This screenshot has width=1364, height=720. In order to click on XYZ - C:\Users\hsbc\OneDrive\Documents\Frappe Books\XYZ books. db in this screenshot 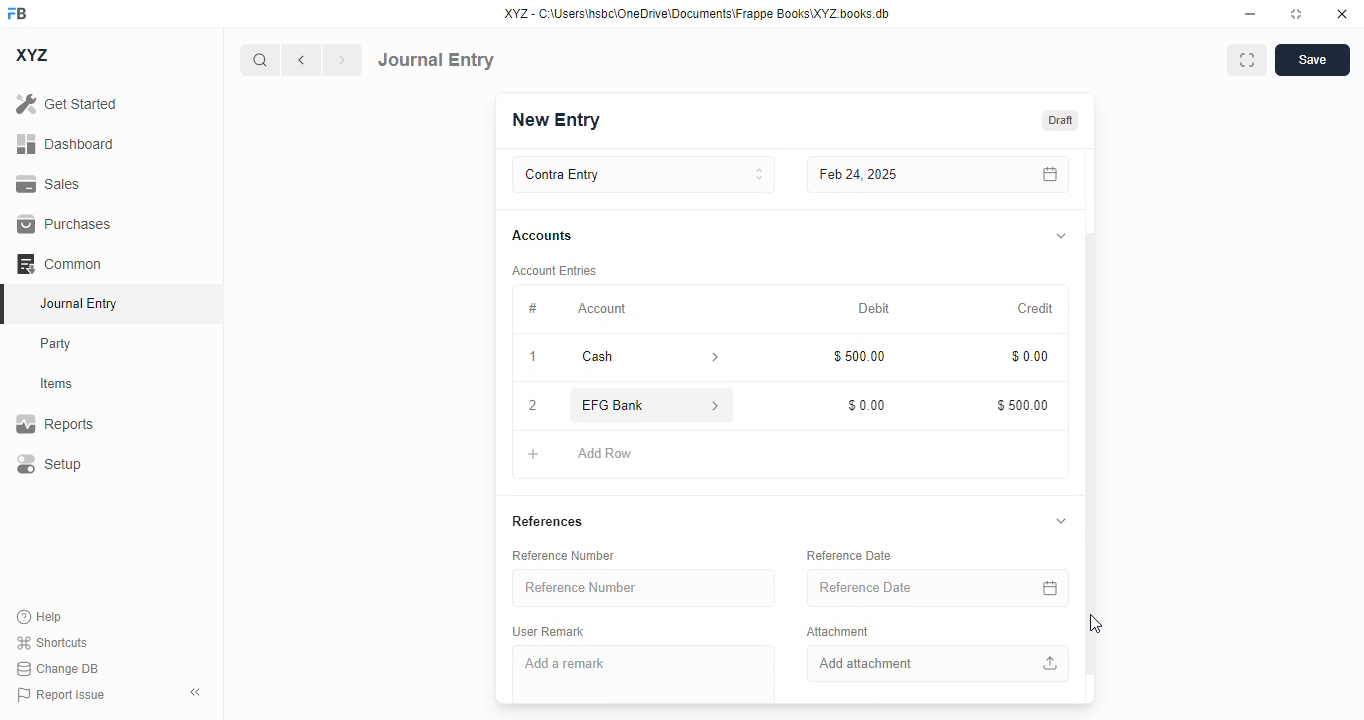, I will do `click(697, 14)`.